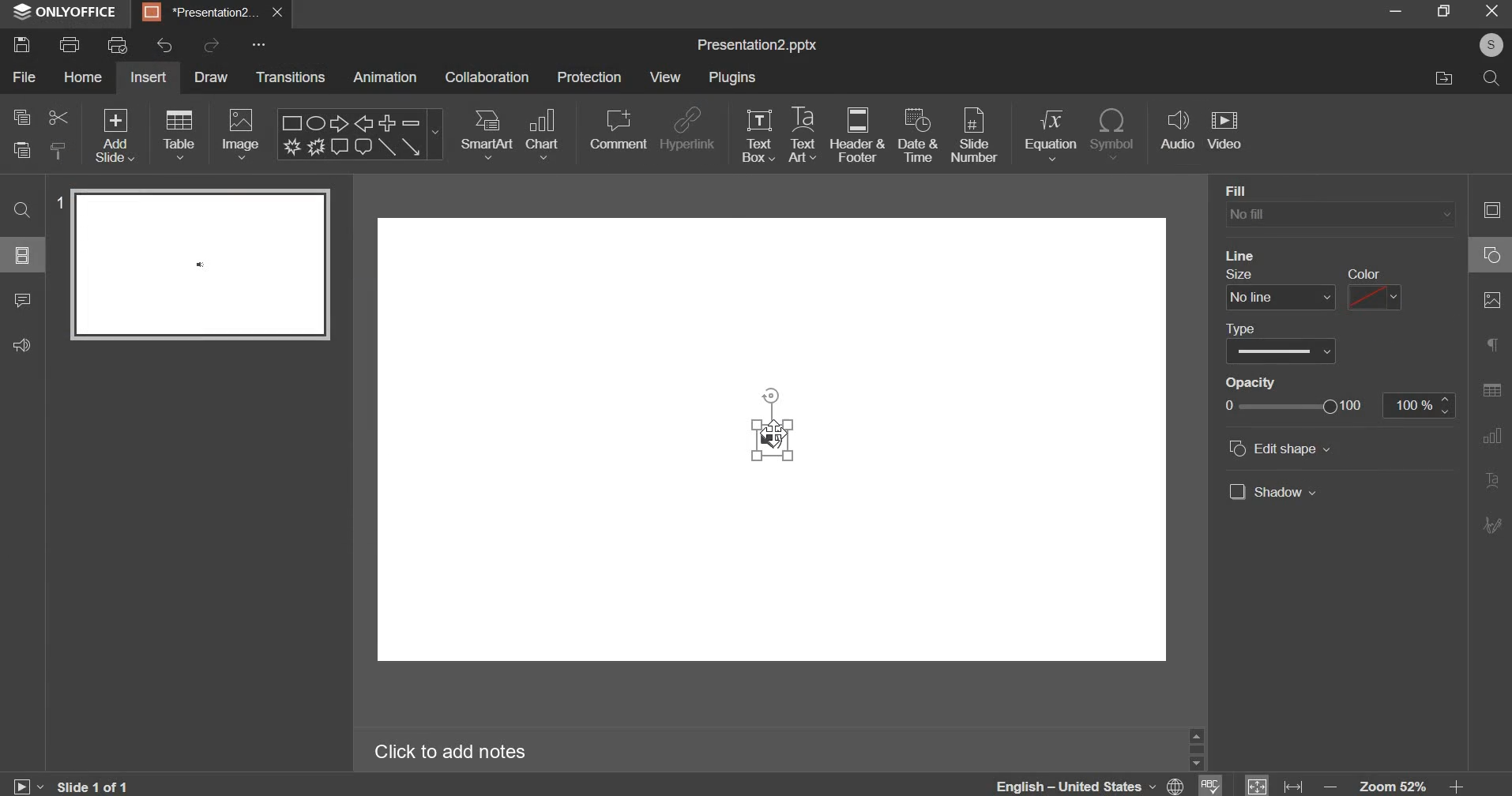  Describe the element at coordinates (735, 78) in the screenshot. I see `plugins` at that location.